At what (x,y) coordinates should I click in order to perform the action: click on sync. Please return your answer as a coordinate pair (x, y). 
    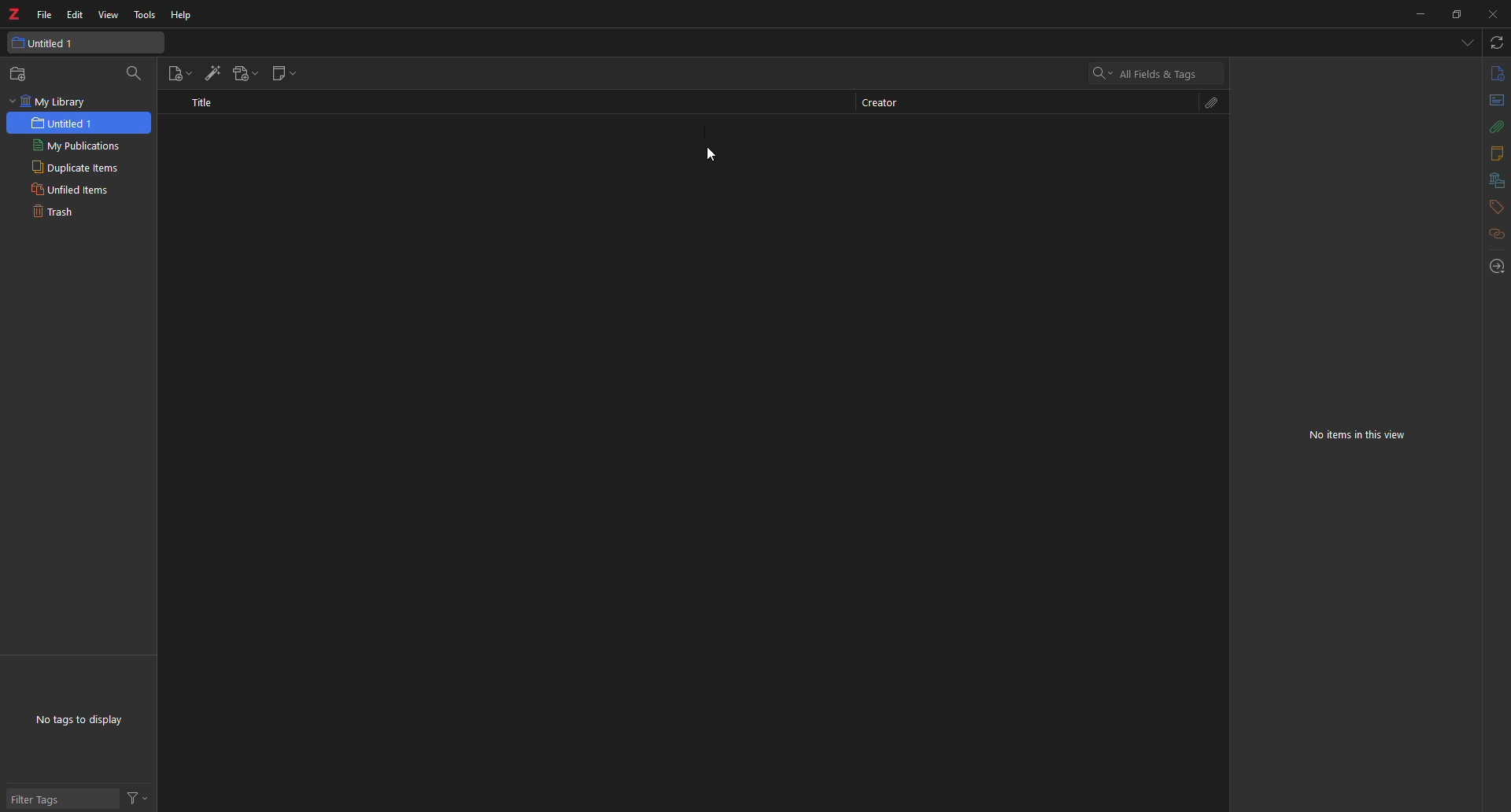
    Looking at the image, I should click on (1495, 42).